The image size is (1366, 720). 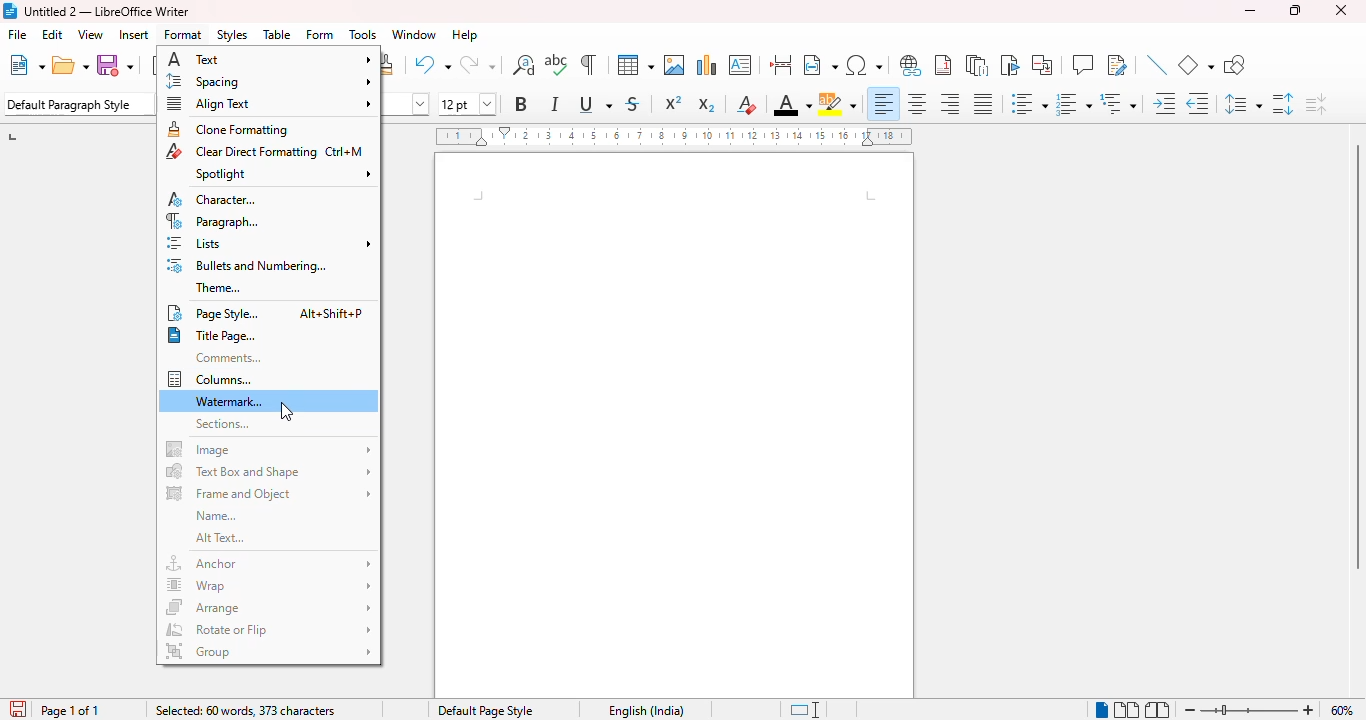 What do you see at coordinates (911, 65) in the screenshot?
I see `insert hyperlink` at bounding box center [911, 65].